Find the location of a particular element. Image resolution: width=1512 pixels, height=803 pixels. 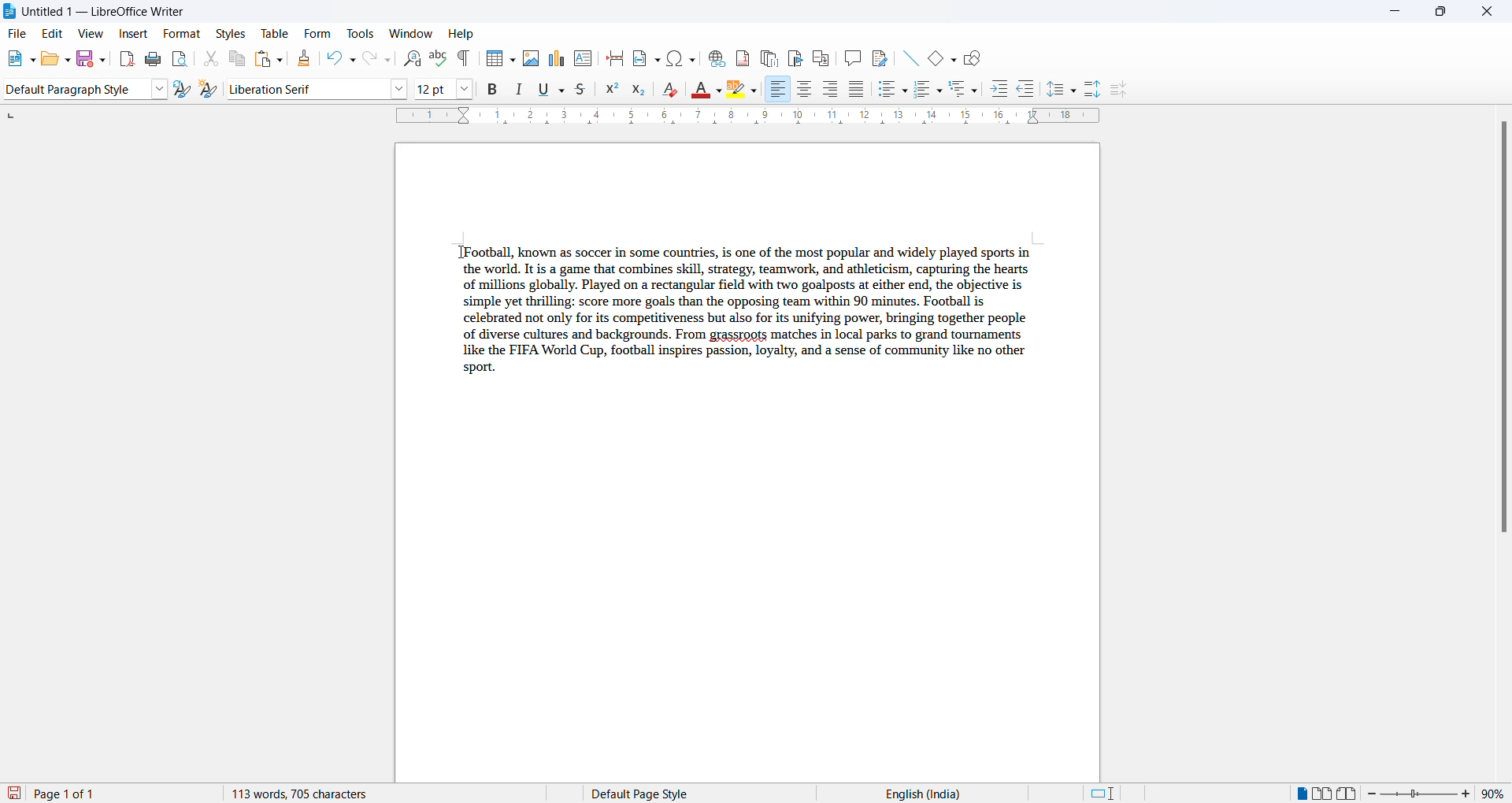

line spacing option dropdown is located at coordinates (1073, 90).